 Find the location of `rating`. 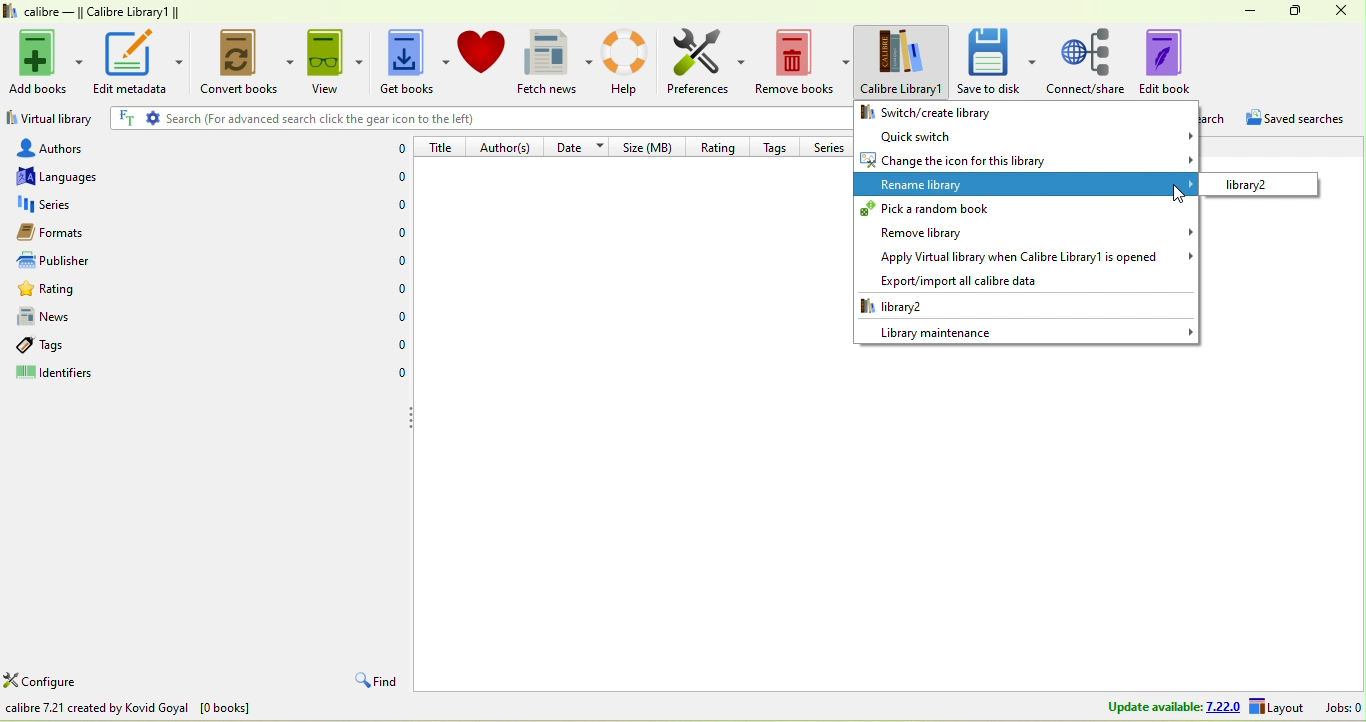

rating is located at coordinates (89, 292).